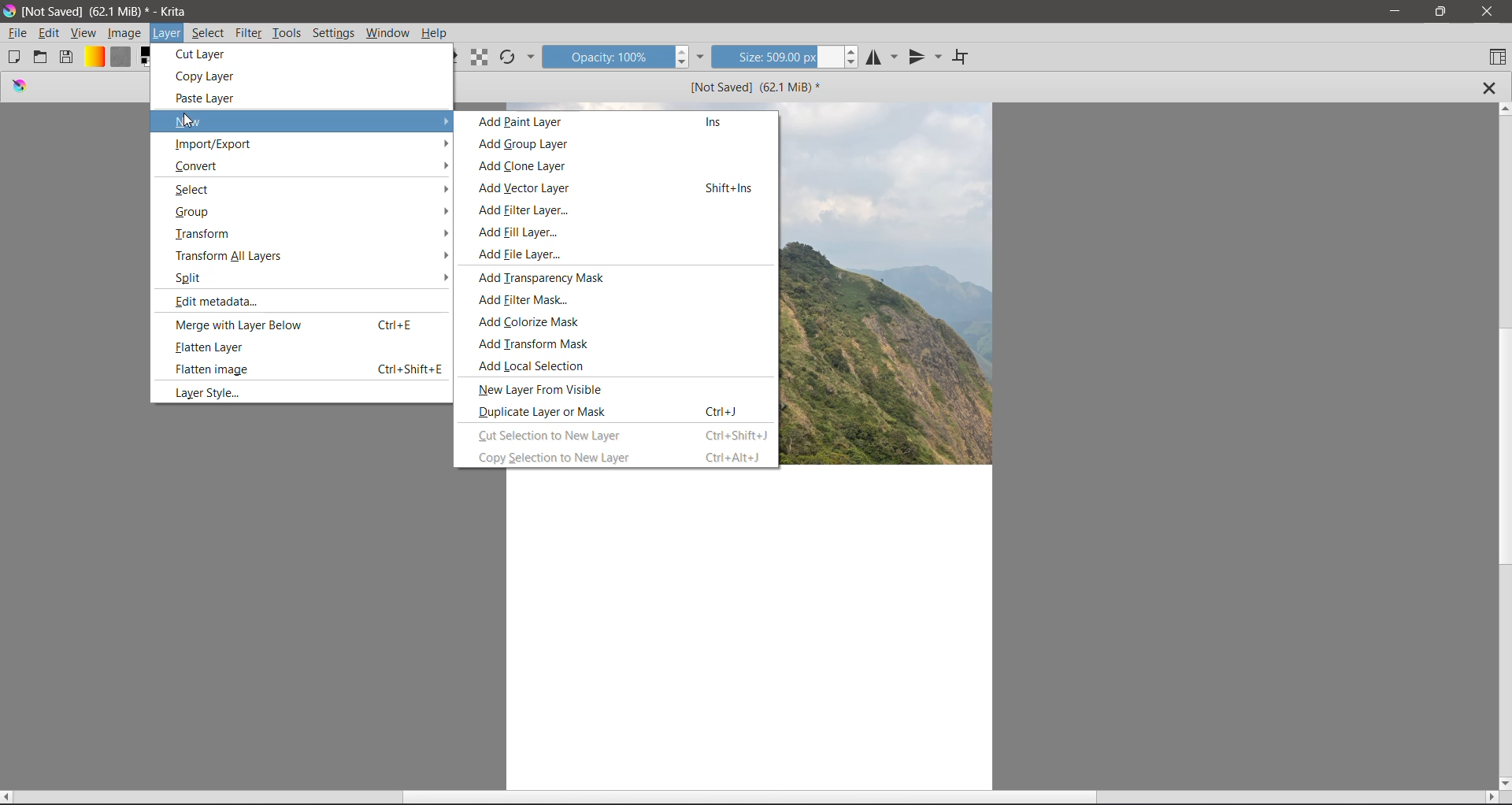  Describe the element at coordinates (108, 10) in the screenshot. I see `Application Name` at that location.